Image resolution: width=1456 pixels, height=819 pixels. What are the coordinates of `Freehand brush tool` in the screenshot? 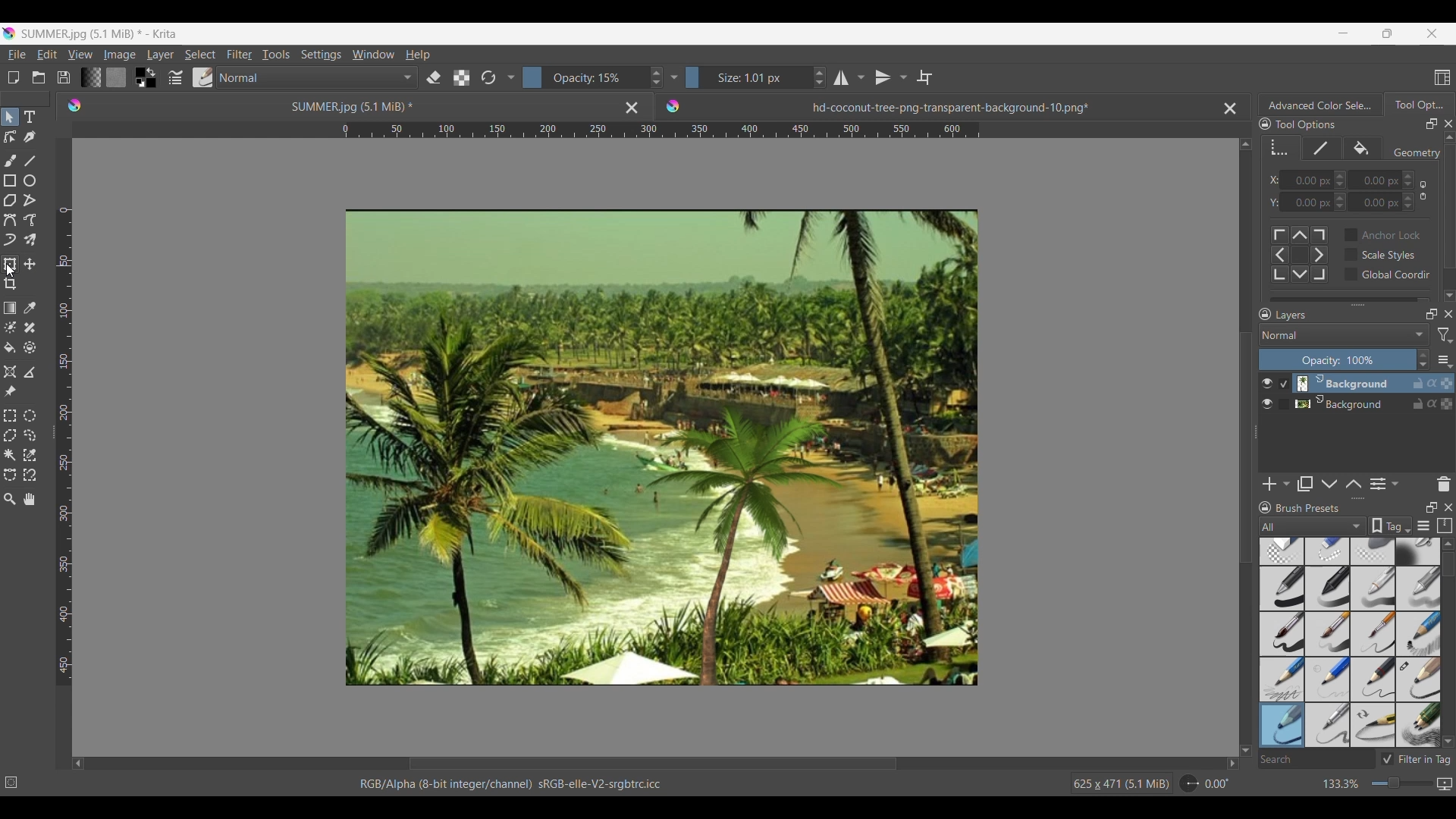 It's located at (10, 160).